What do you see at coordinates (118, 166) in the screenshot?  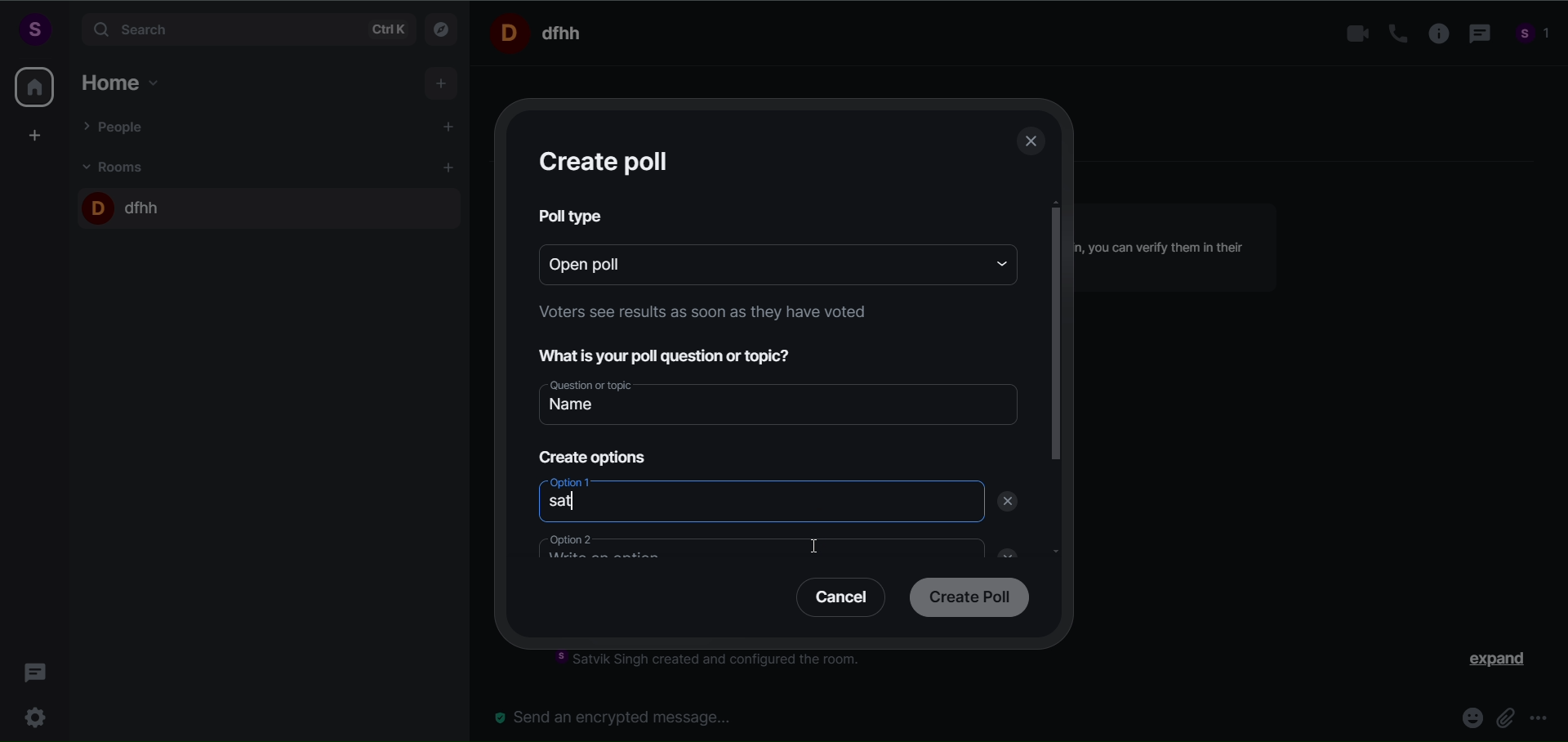 I see `rooms` at bounding box center [118, 166].